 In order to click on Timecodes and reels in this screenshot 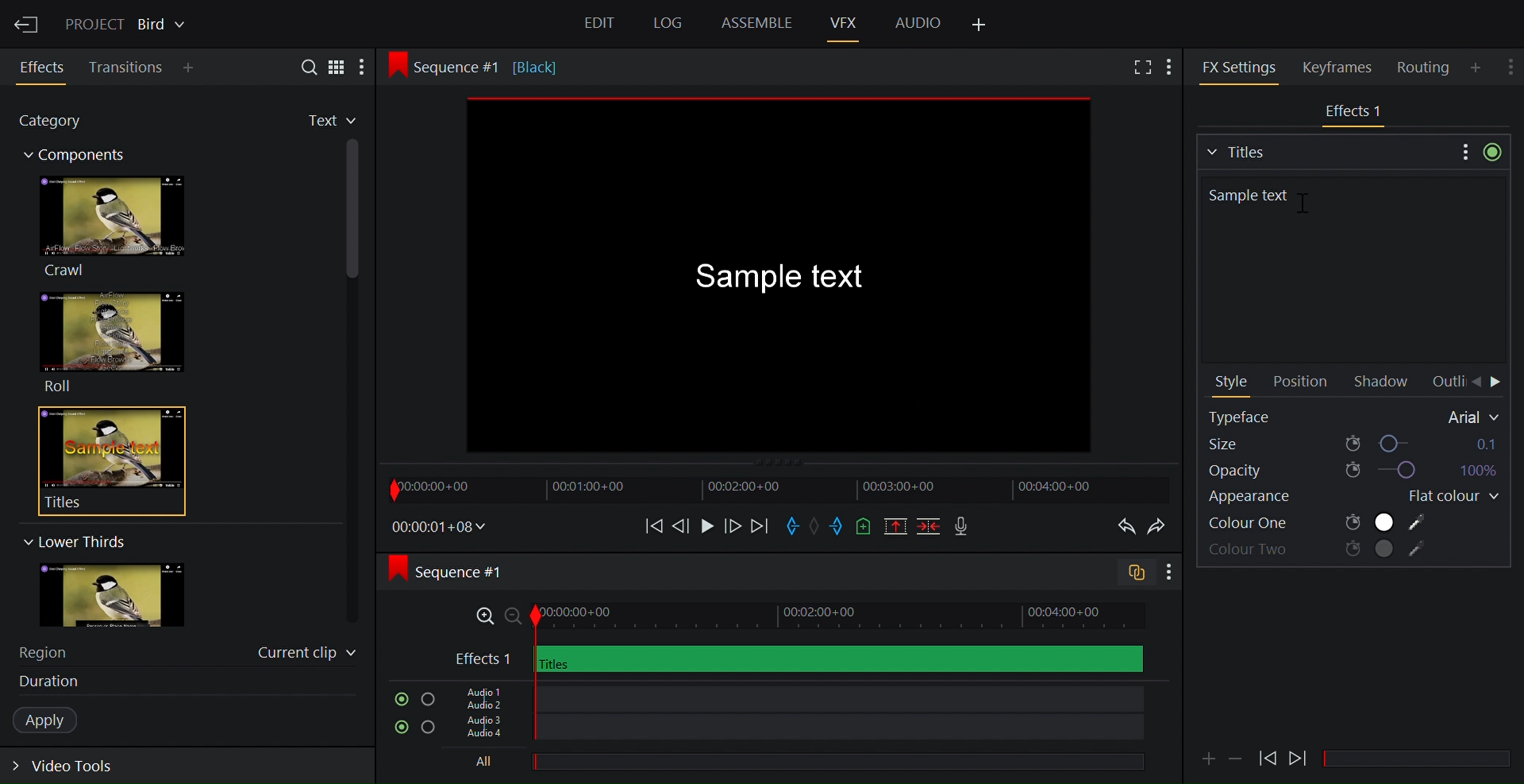, I will do `click(440, 527)`.